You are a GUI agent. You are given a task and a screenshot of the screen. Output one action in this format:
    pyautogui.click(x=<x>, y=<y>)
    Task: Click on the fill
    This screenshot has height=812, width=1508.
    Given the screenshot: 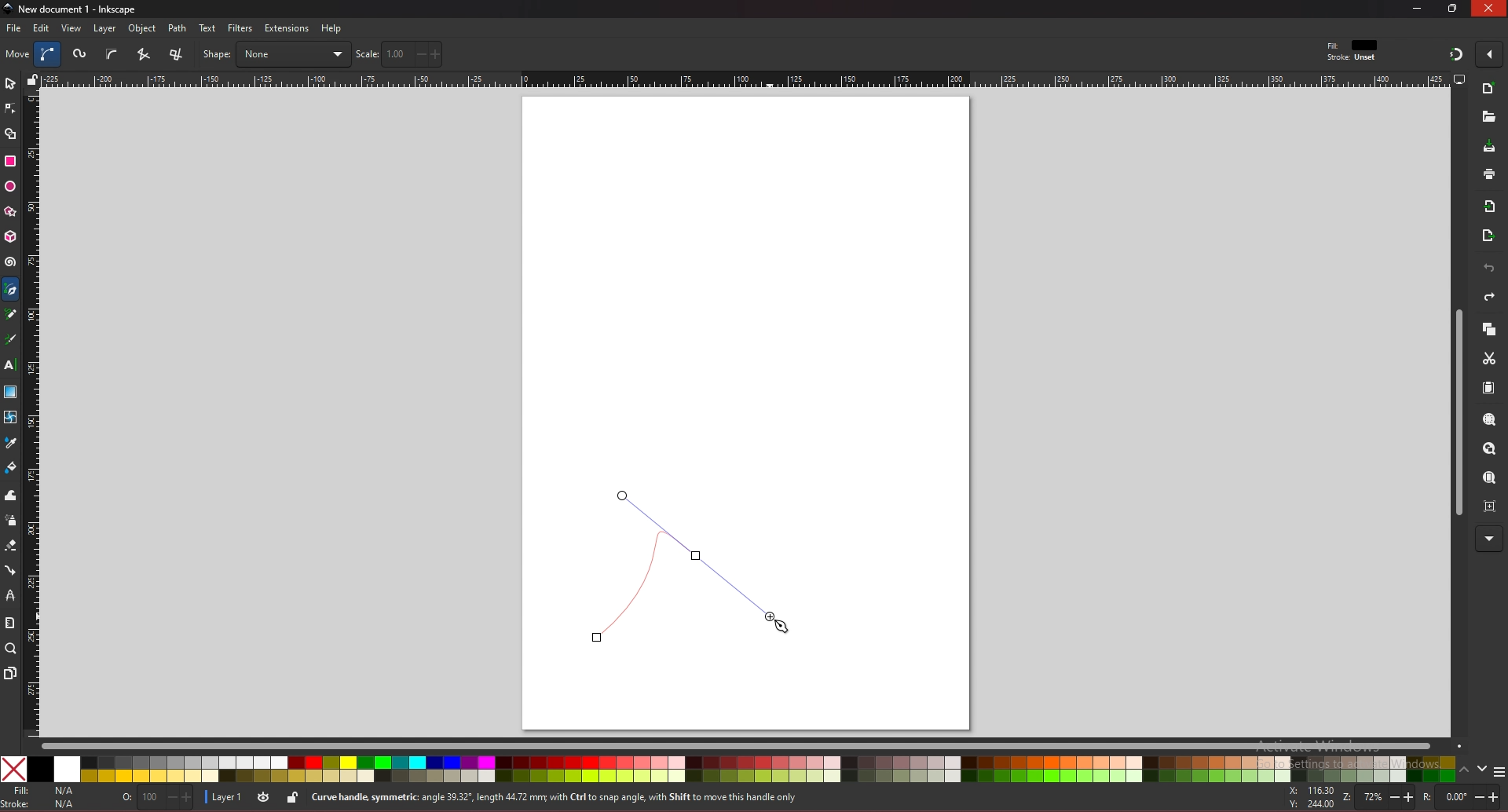 What is the action you would take?
    pyautogui.click(x=42, y=791)
    